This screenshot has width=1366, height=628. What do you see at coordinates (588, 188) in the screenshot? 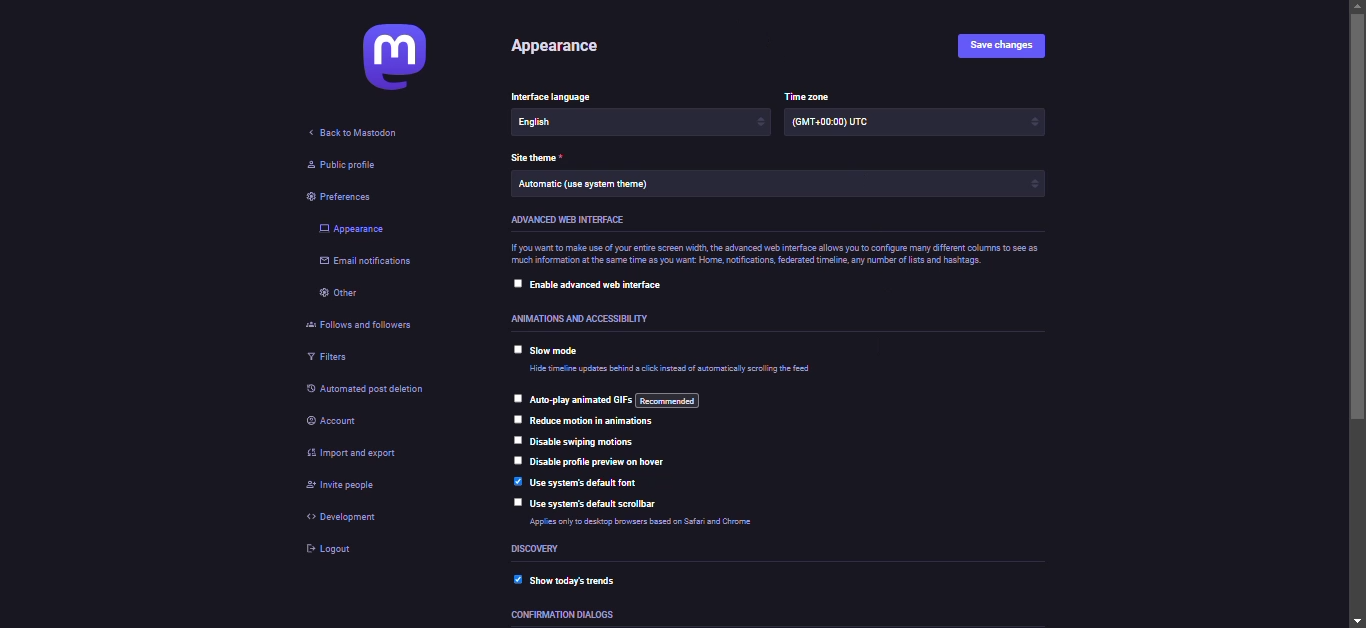
I see `theme` at bounding box center [588, 188].